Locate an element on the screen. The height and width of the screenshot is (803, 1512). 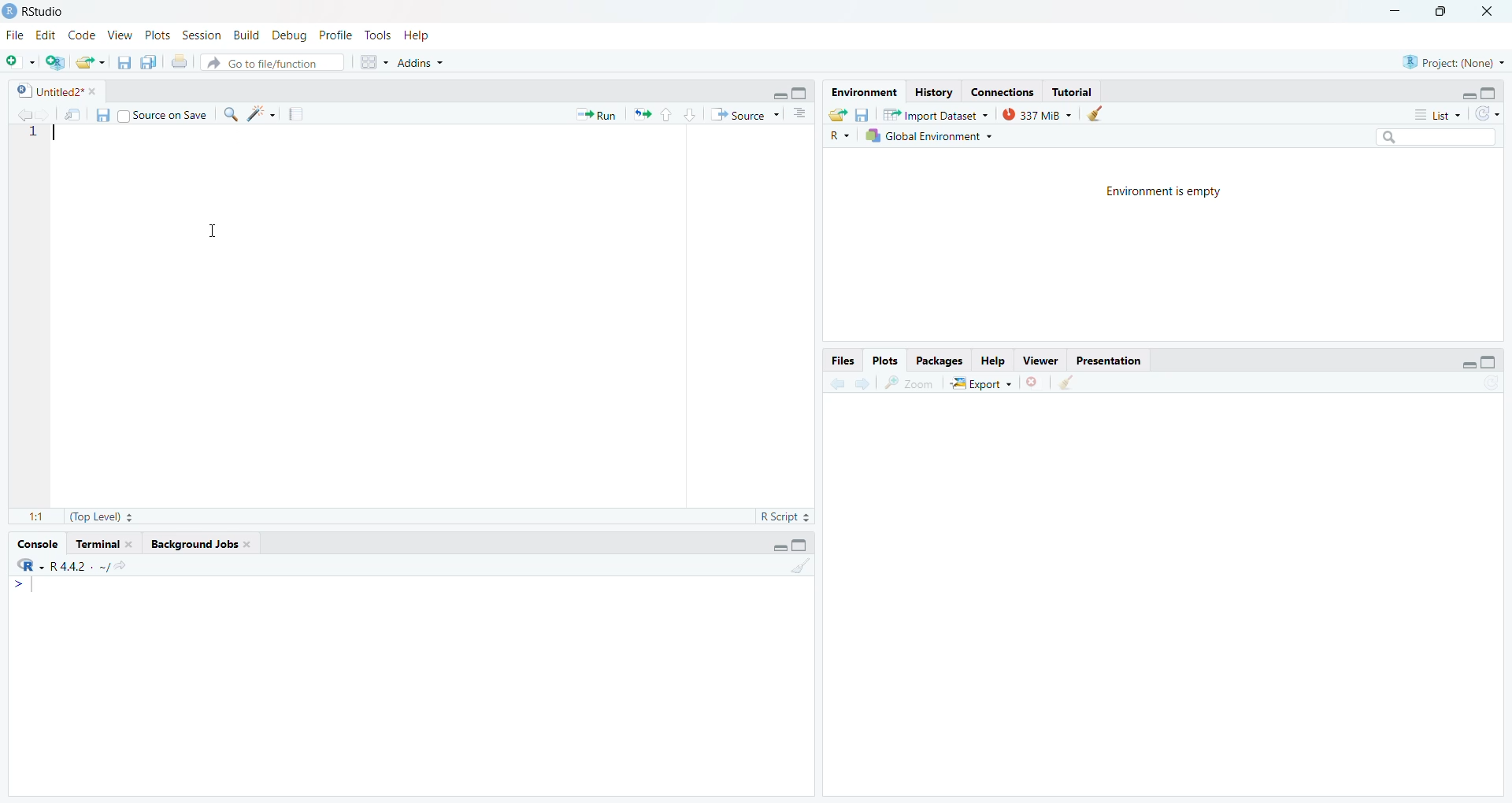
List  is located at coordinates (1439, 116).